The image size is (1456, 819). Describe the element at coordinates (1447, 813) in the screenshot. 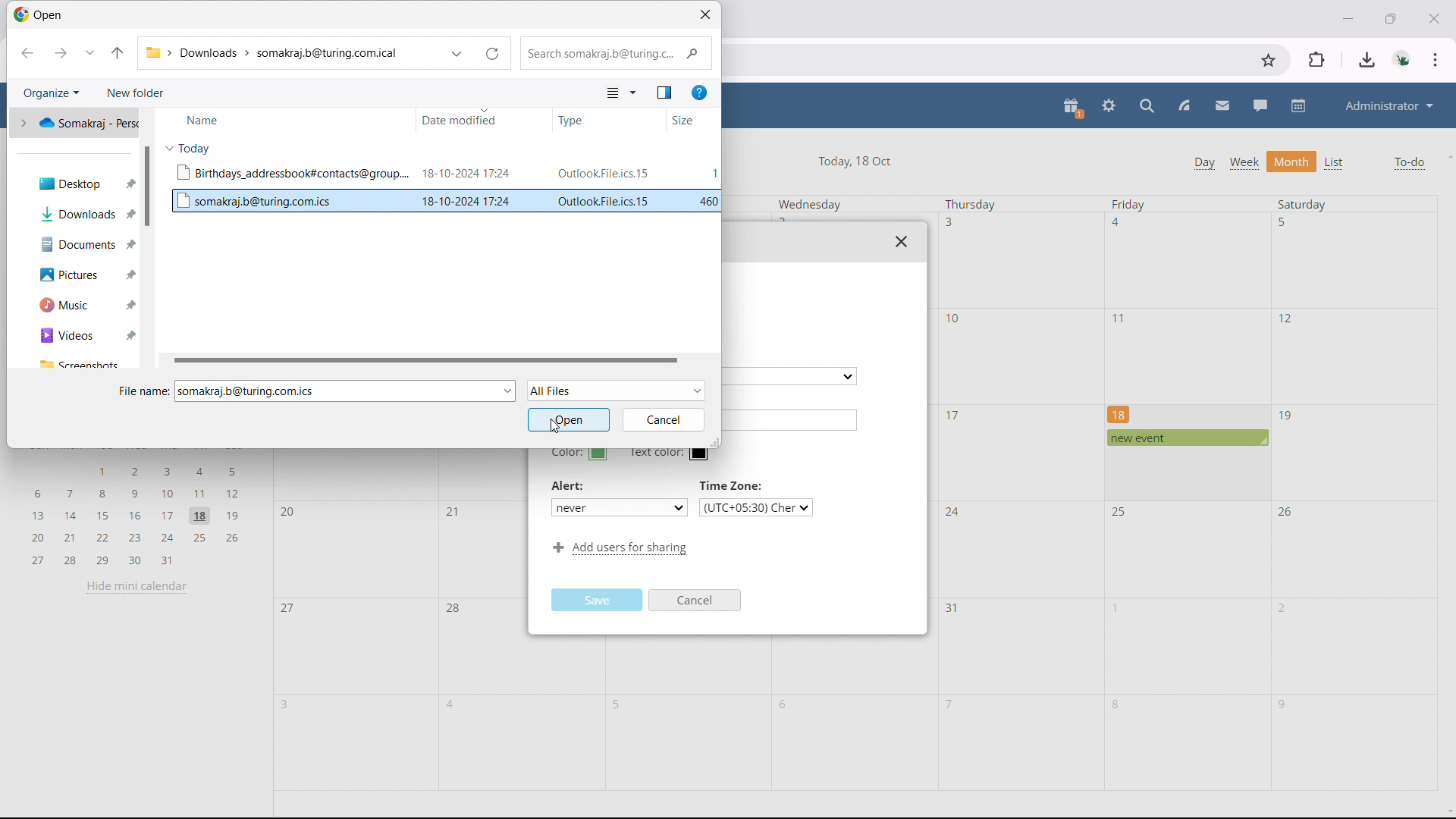

I see `scroll down` at that location.